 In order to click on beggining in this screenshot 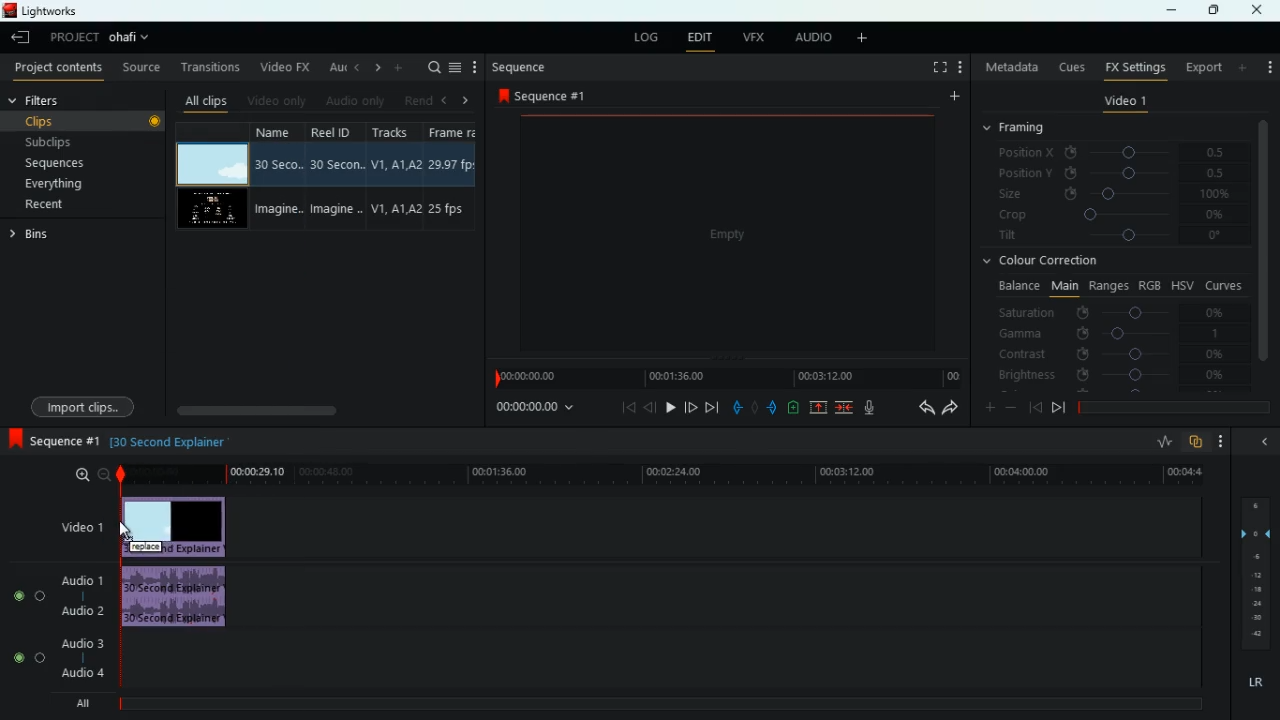, I will do `click(622, 409)`.